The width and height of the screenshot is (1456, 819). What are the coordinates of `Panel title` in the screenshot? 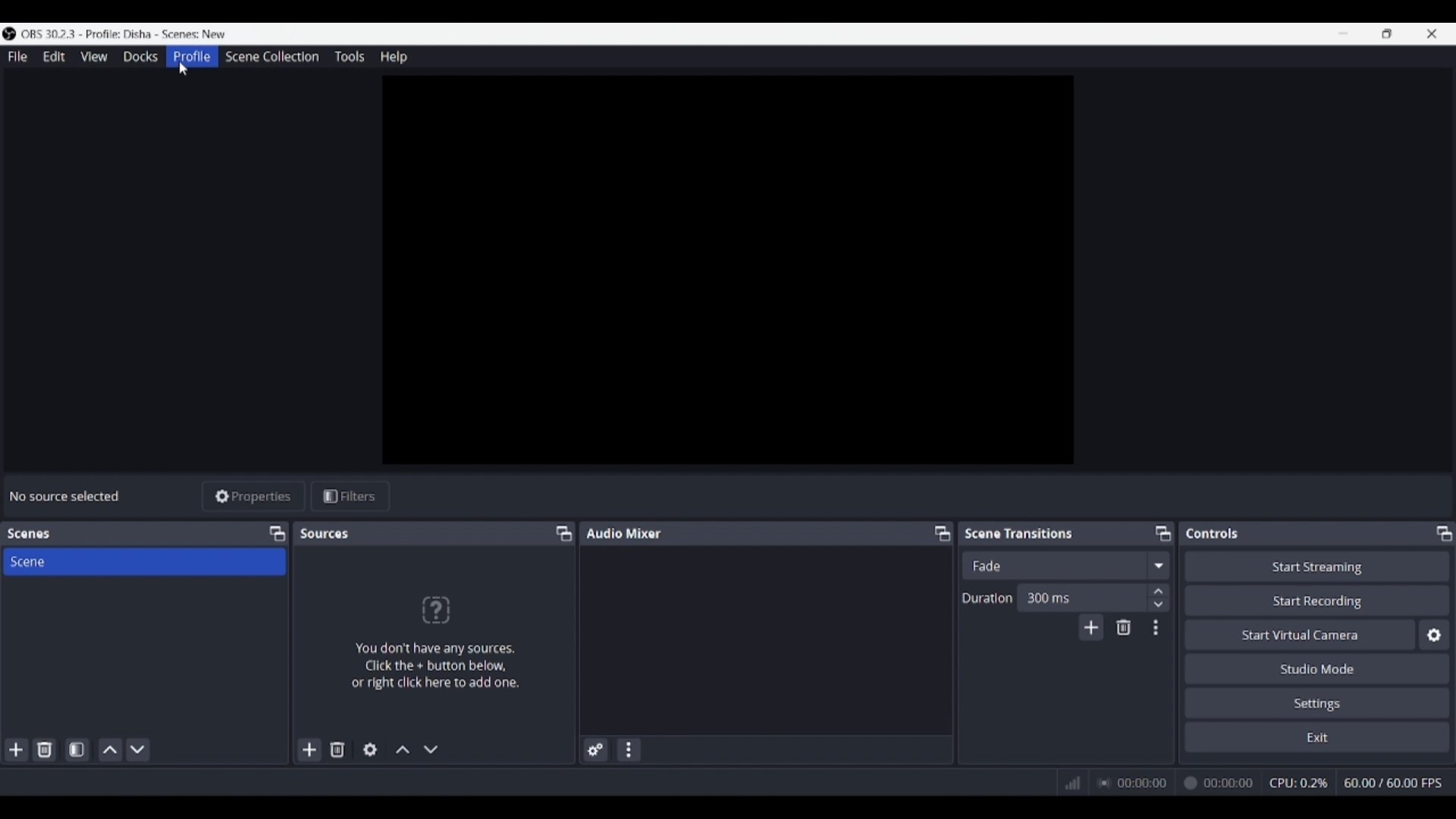 It's located at (326, 533).